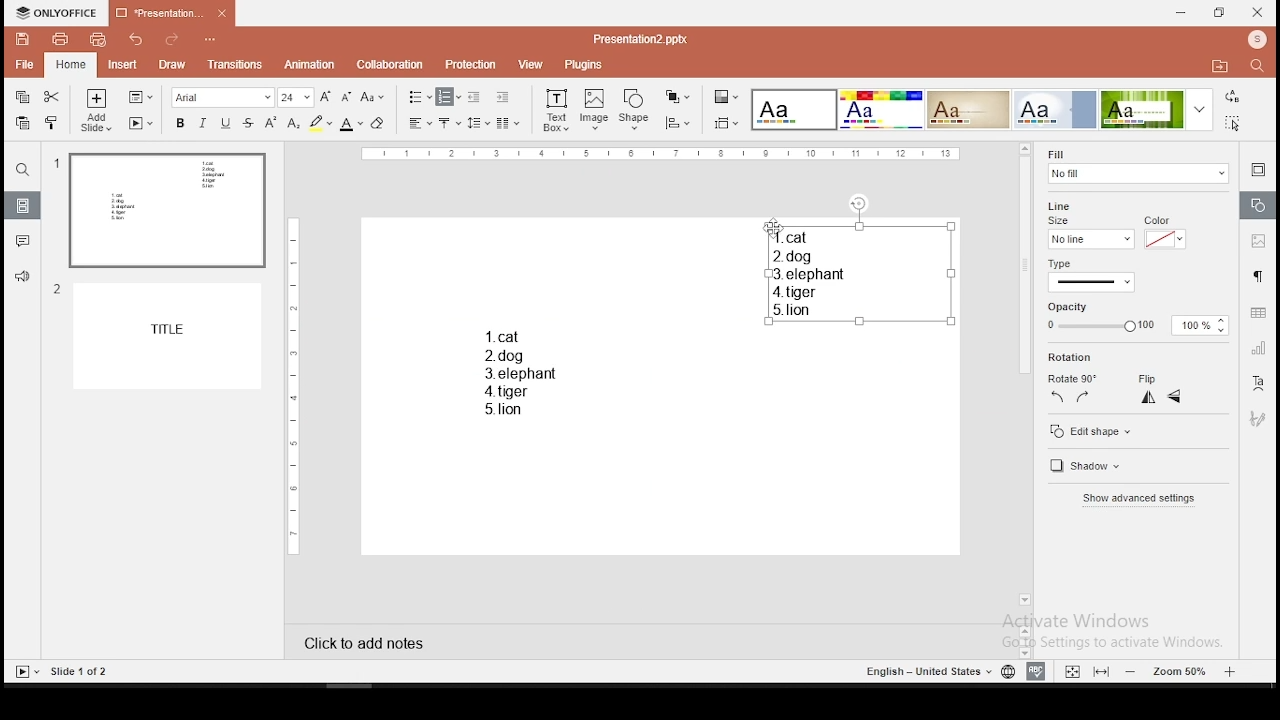 This screenshot has width=1280, height=720. Describe the element at coordinates (1024, 376) in the screenshot. I see `scroll bar` at that location.